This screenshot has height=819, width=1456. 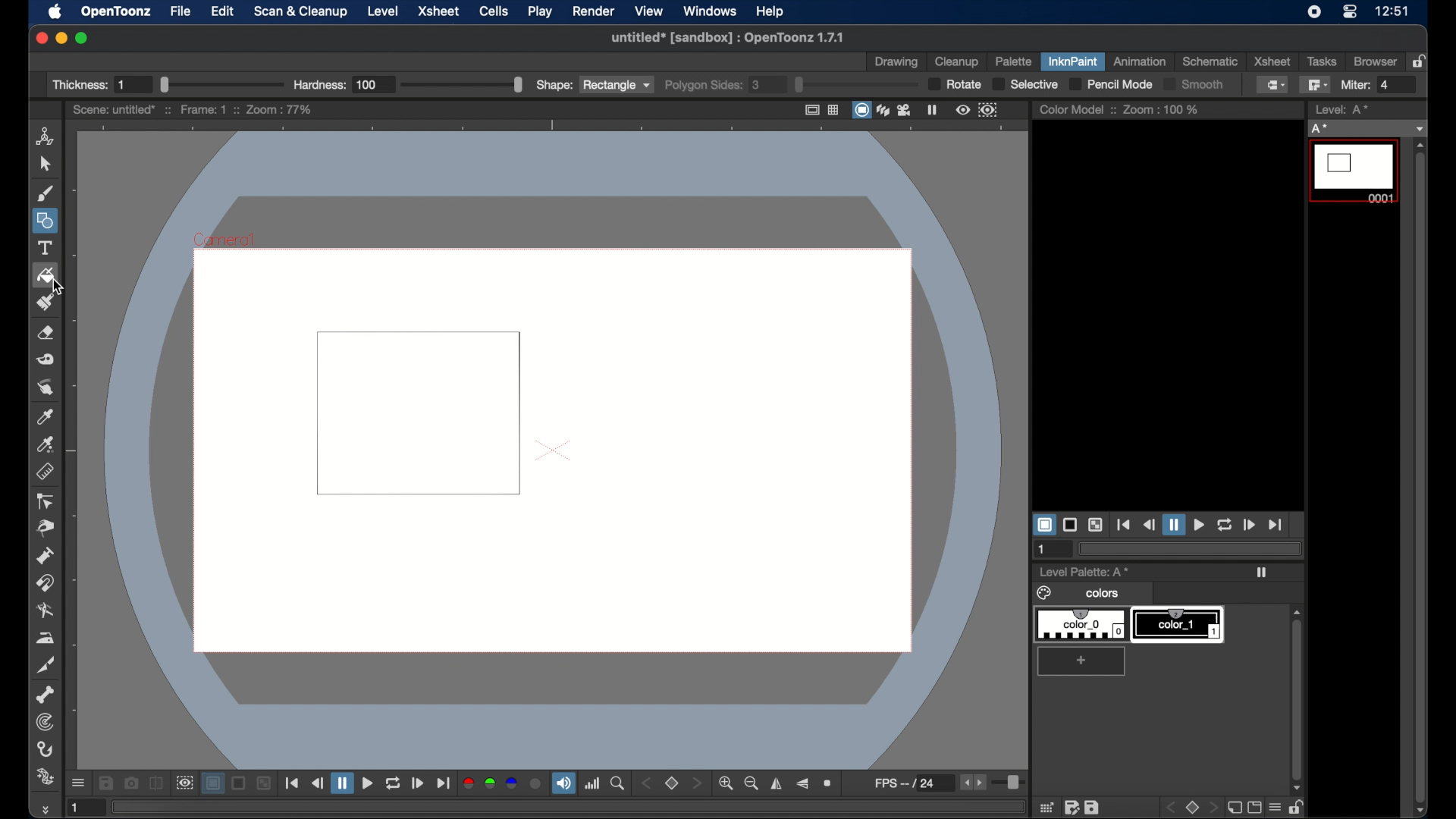 What do you see at coordinates (78, 784) in the screenshot?
I see `more options` at bounding box center [78, 784].